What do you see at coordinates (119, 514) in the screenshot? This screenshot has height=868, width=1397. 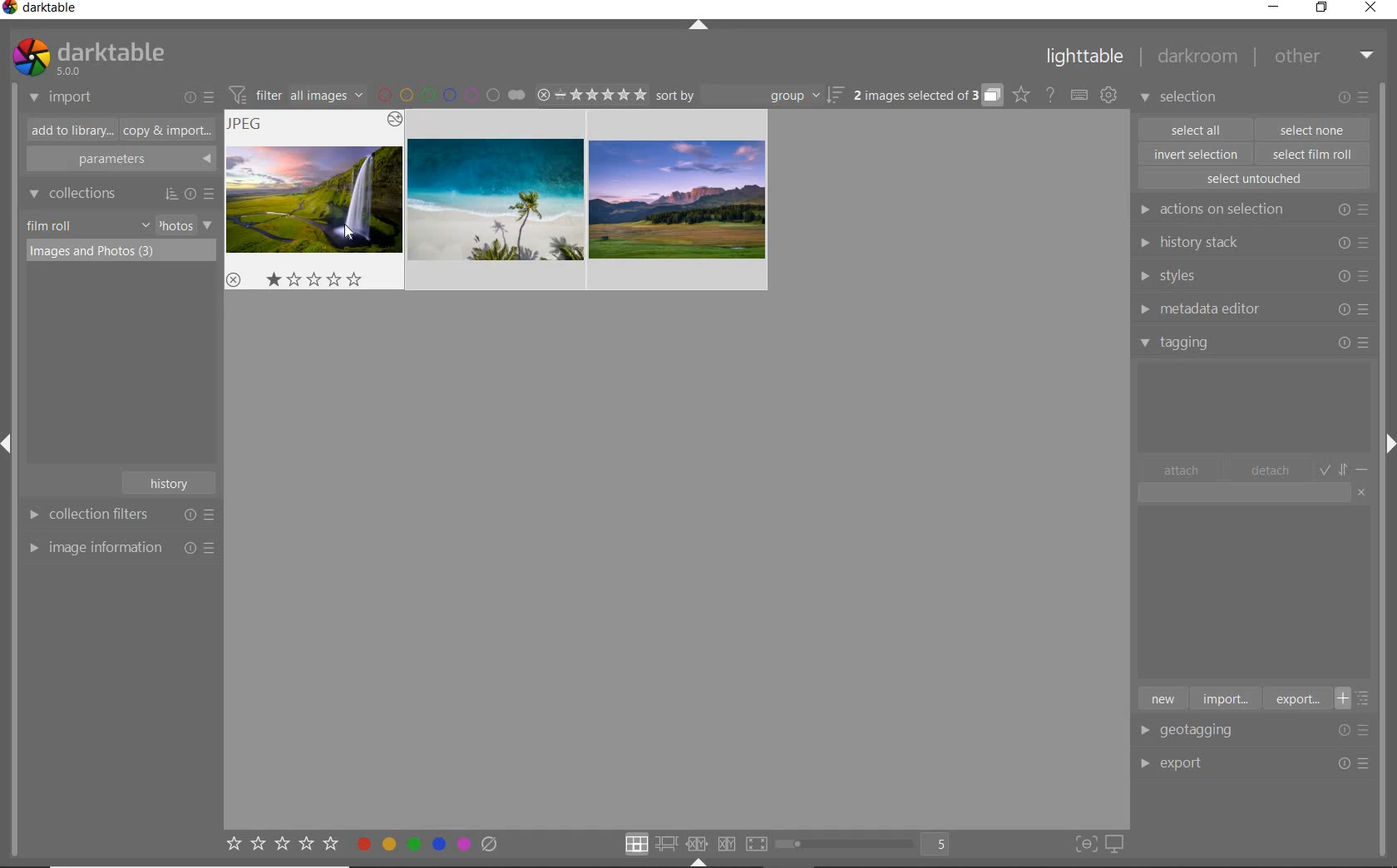 I see `collection filters` at bounding box center [119, 514].